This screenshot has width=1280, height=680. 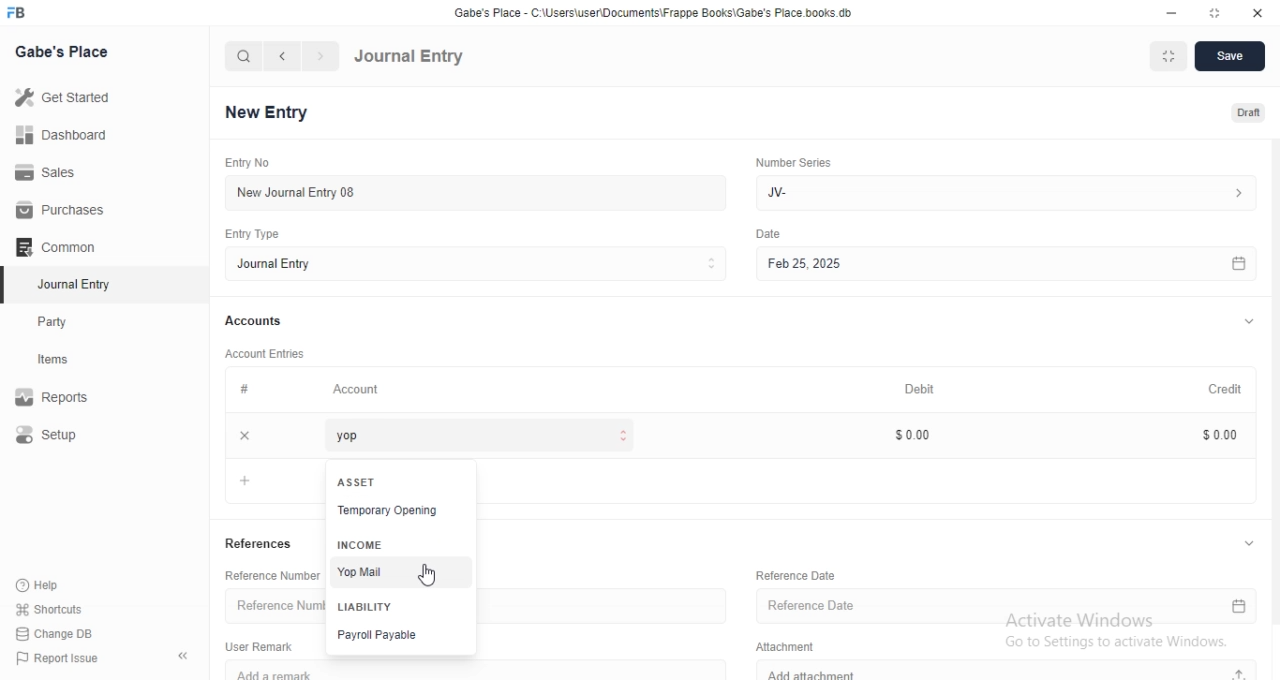 What do you see at coordinates (358, 391) in the screenshot?
I see `Account` at bounding box center [358, 391].